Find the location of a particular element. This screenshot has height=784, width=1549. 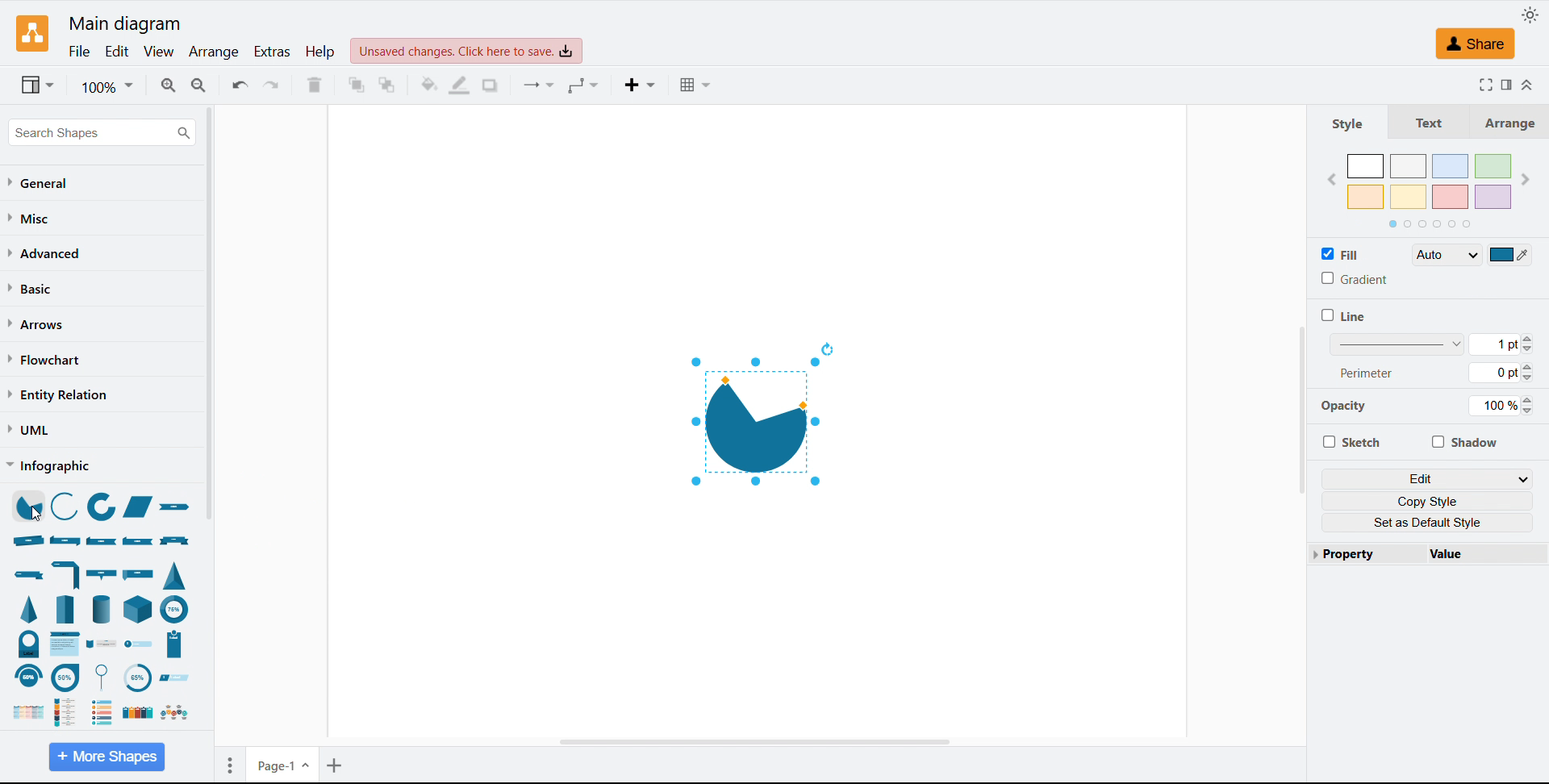

Uml is located at coordinates (29, 430).